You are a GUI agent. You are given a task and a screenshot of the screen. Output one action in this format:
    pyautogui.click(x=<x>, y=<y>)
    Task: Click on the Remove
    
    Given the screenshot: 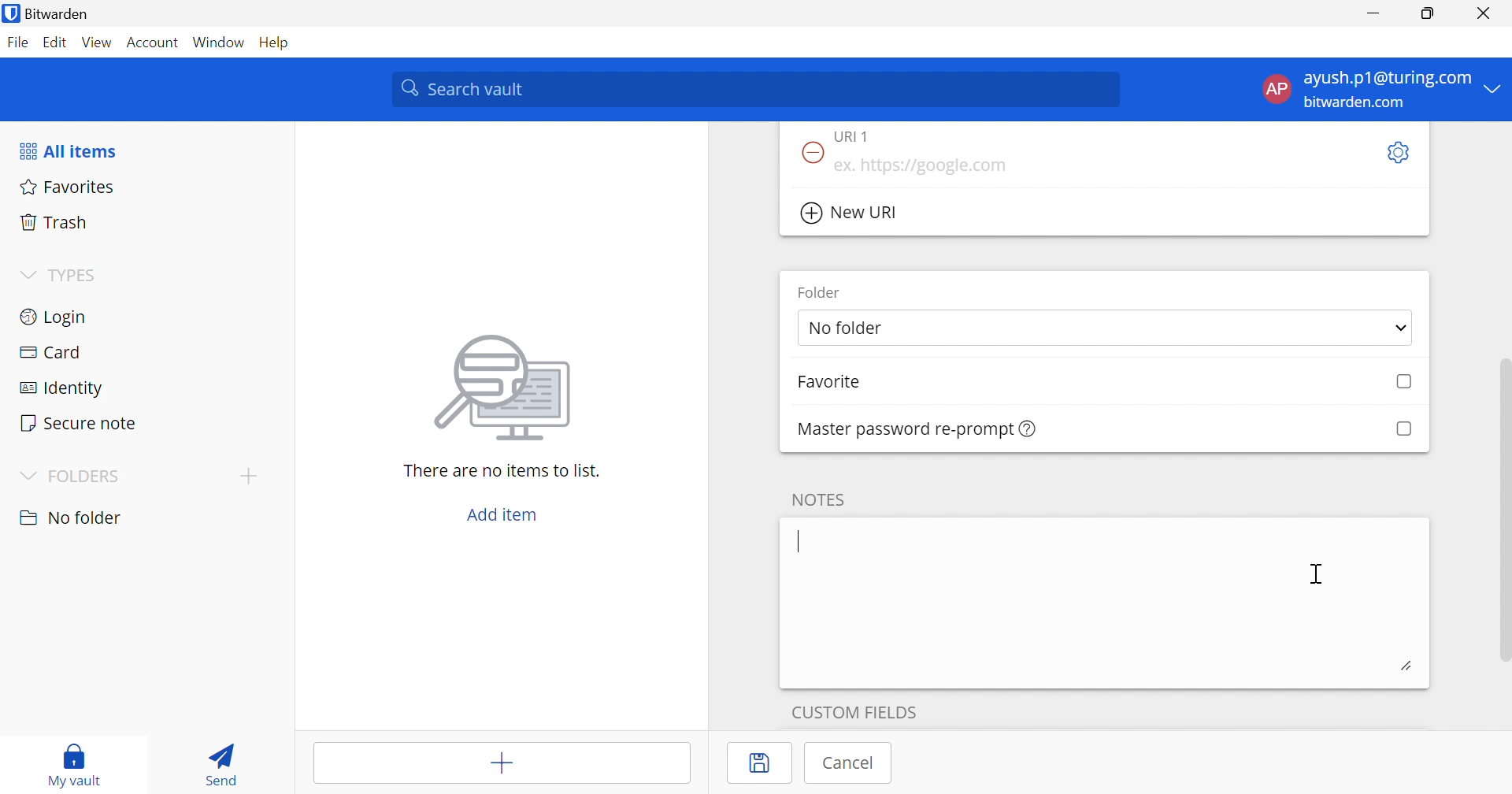 What is the action you would take?
    pyautogui.click(x=810, y=154)
    